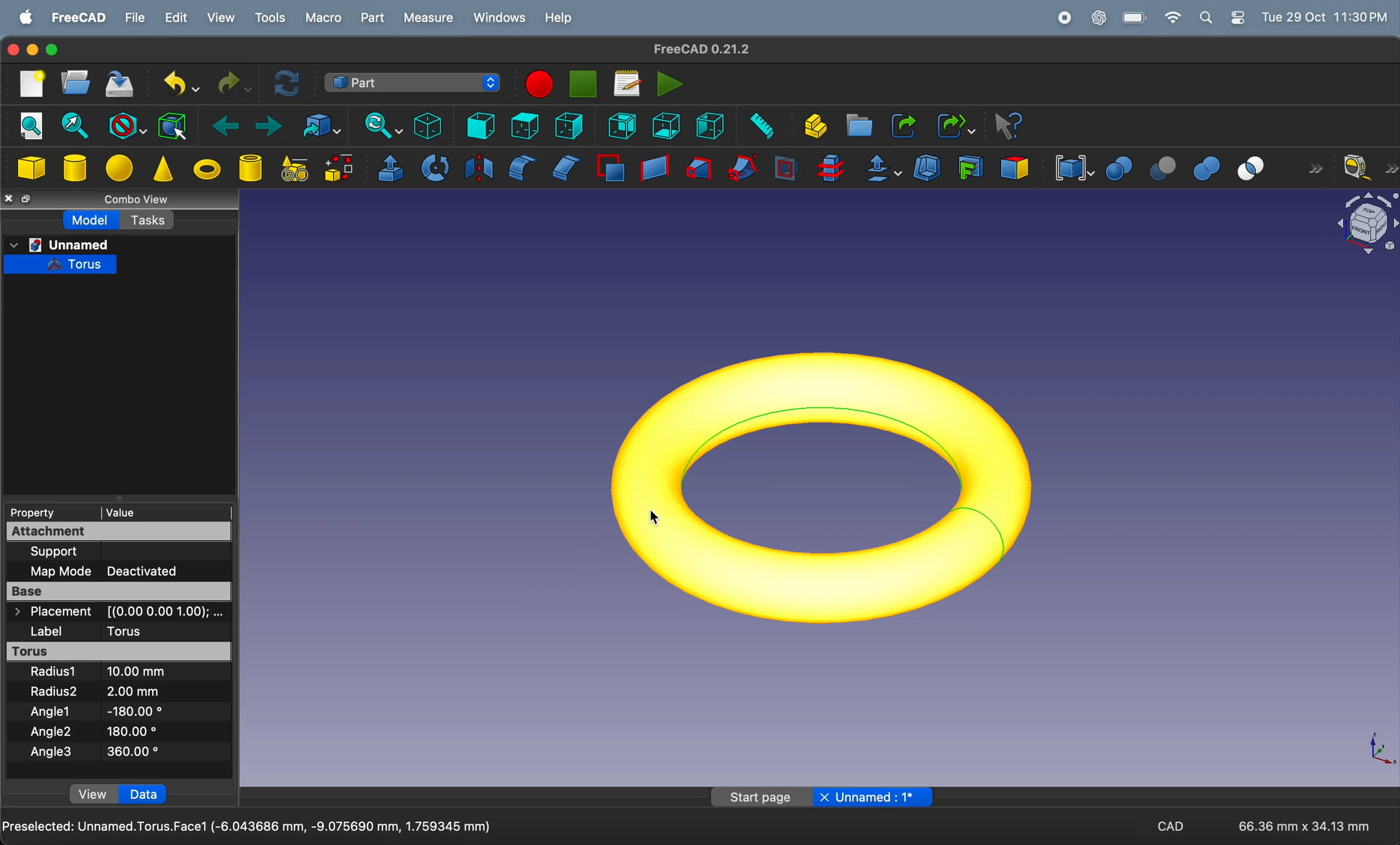 Image resolution: width=1400 pixels, height=845 pixels. What do you see at coordinates (1327, 16) in the screenshot?
I see `time and date` at bounding box center [1327, 16].